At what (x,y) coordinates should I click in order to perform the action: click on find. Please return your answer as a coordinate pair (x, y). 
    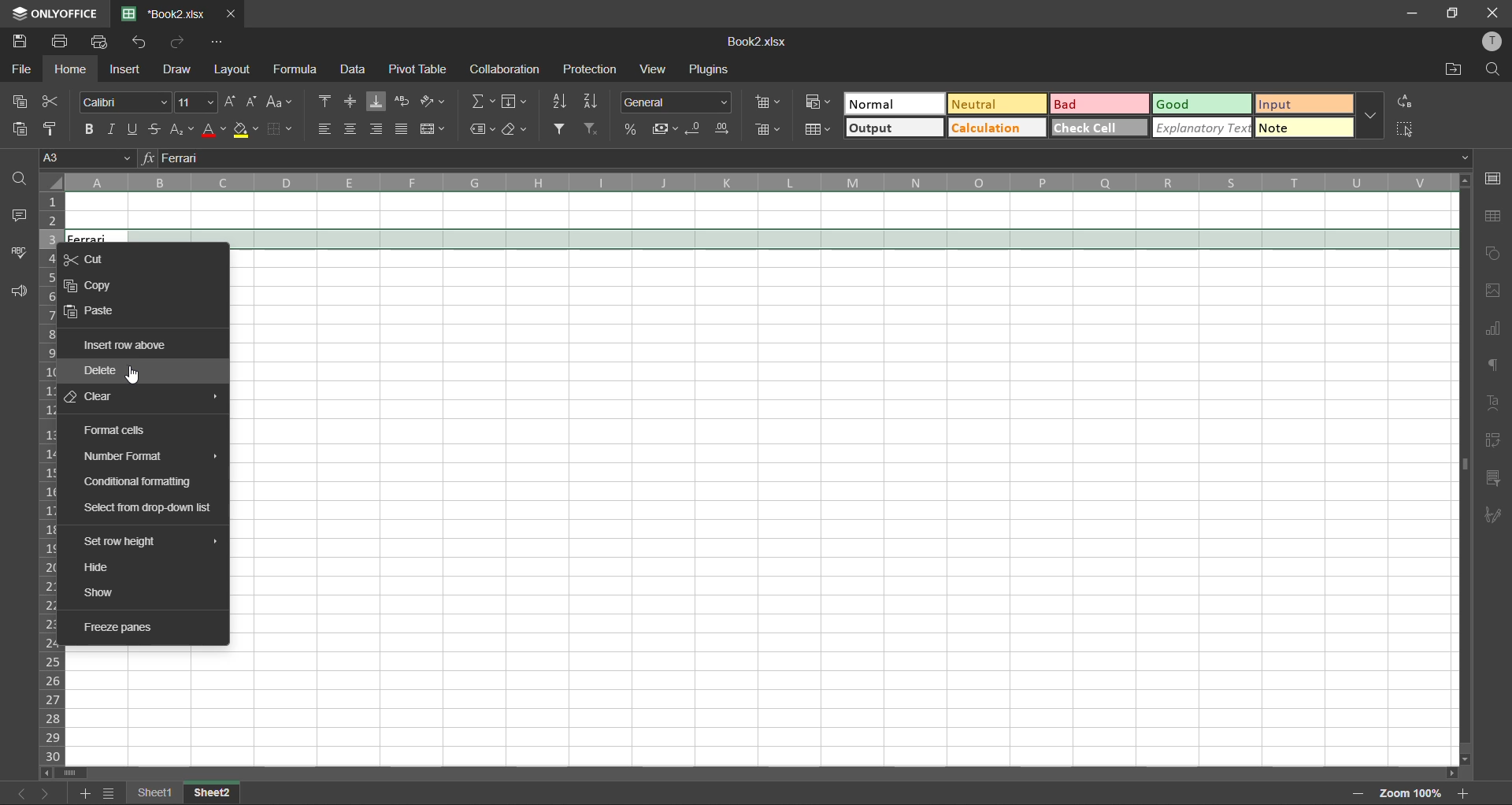
    Looking at the image, I should click on (21, 180).